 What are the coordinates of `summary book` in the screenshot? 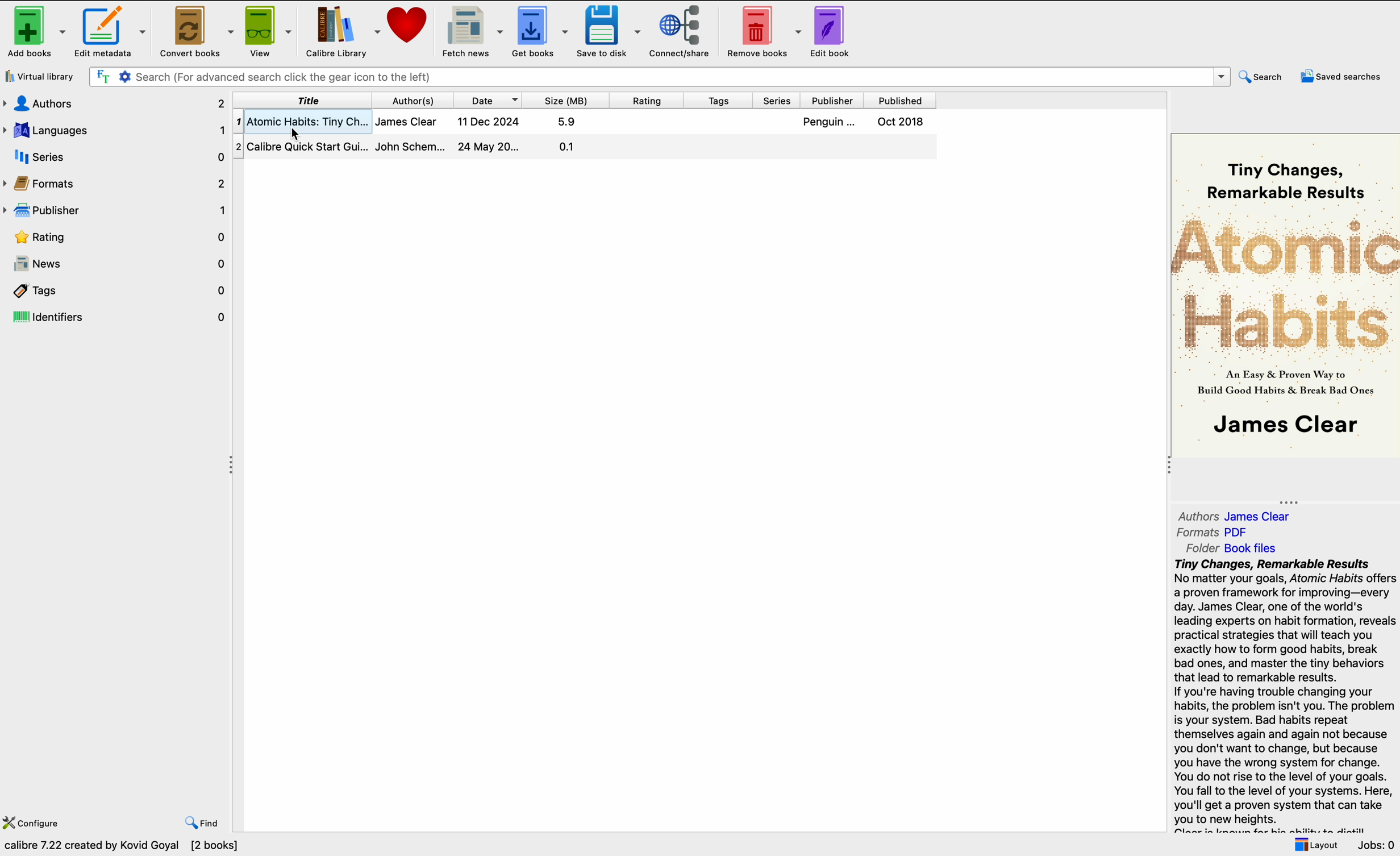 It's located at (1285, 695).